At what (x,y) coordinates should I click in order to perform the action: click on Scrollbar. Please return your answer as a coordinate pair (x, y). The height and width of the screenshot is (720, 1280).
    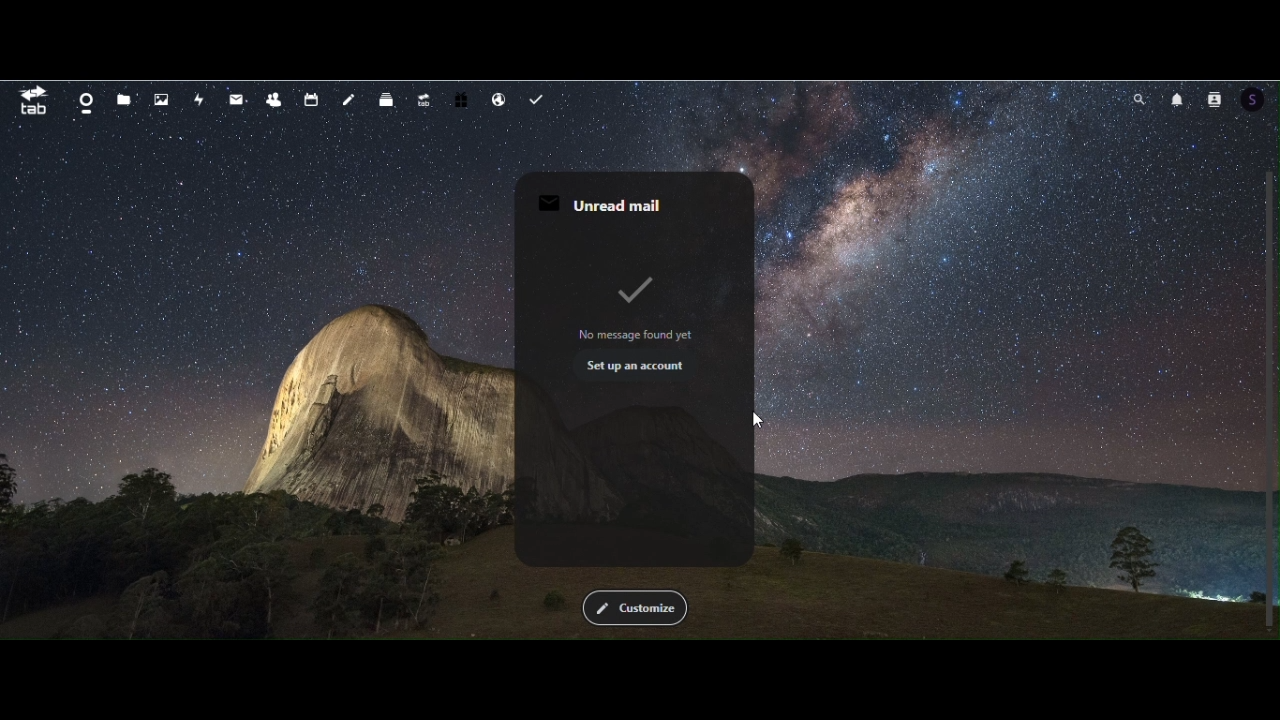
    Looking at the image, I should click on (1266, 404).